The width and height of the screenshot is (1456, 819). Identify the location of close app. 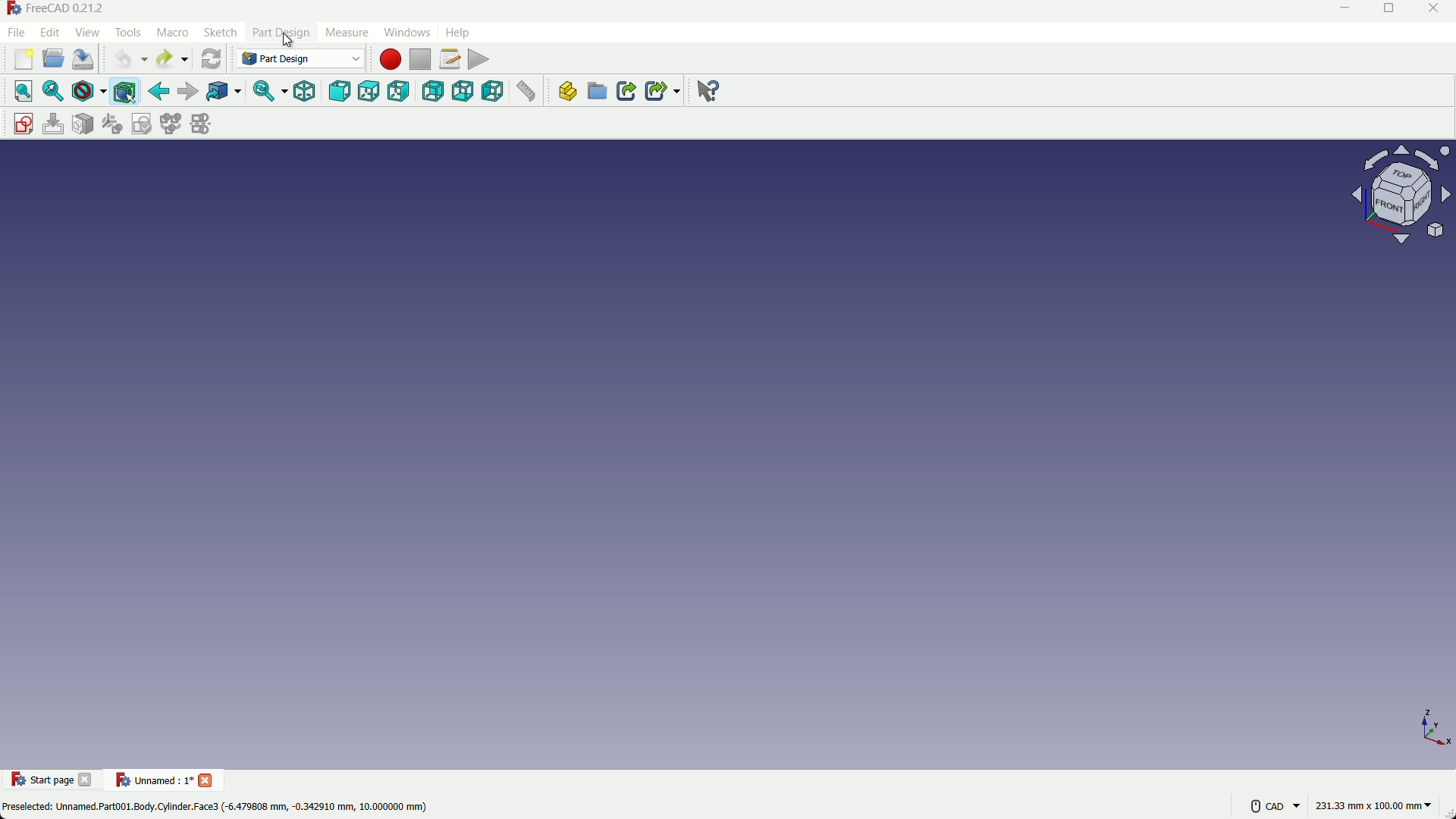
(1439, 8).